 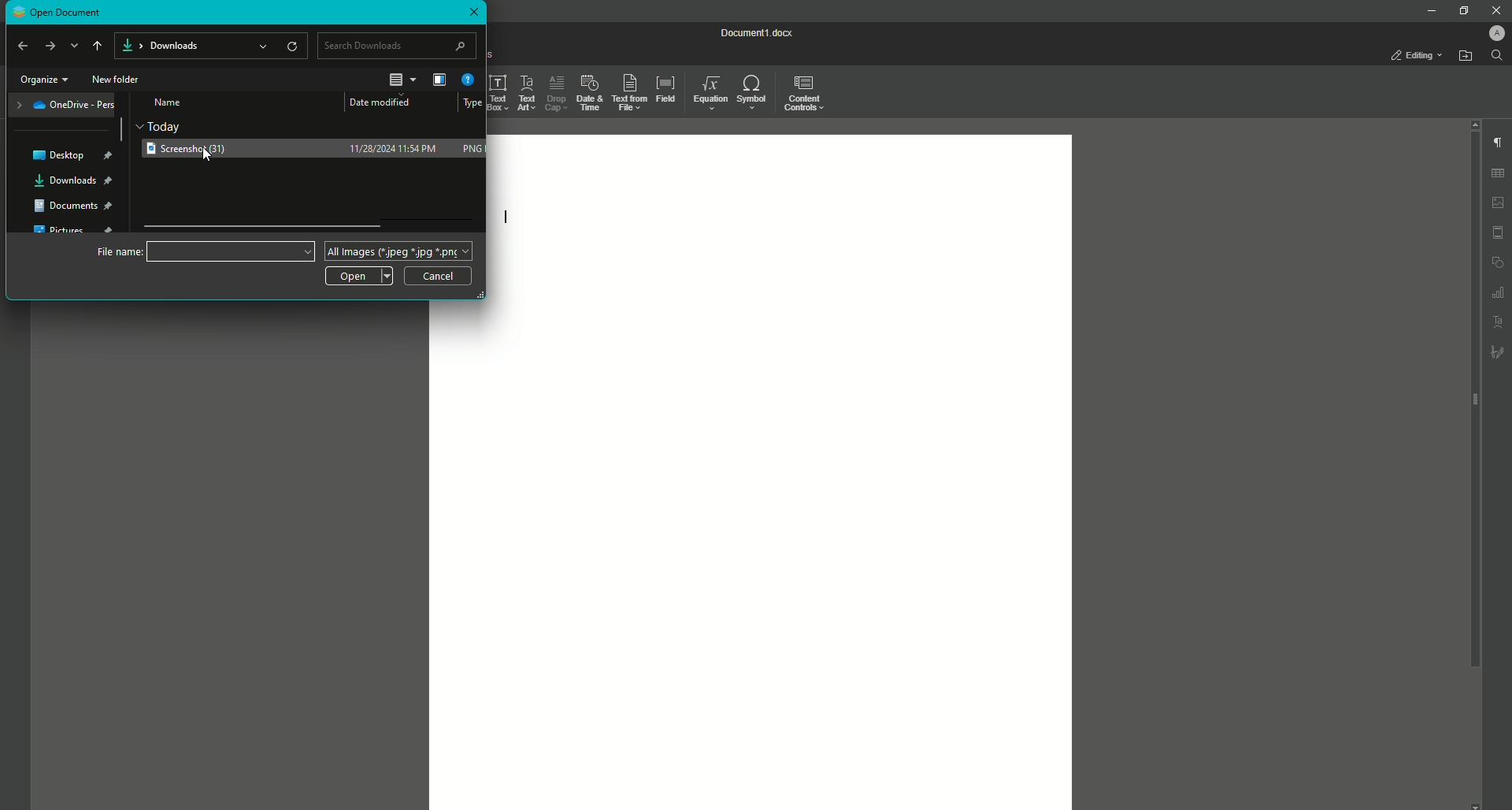 What do you see at coordinates (119, 251) in the screenshot?
I see `File name` at bounding box center [119, 251].